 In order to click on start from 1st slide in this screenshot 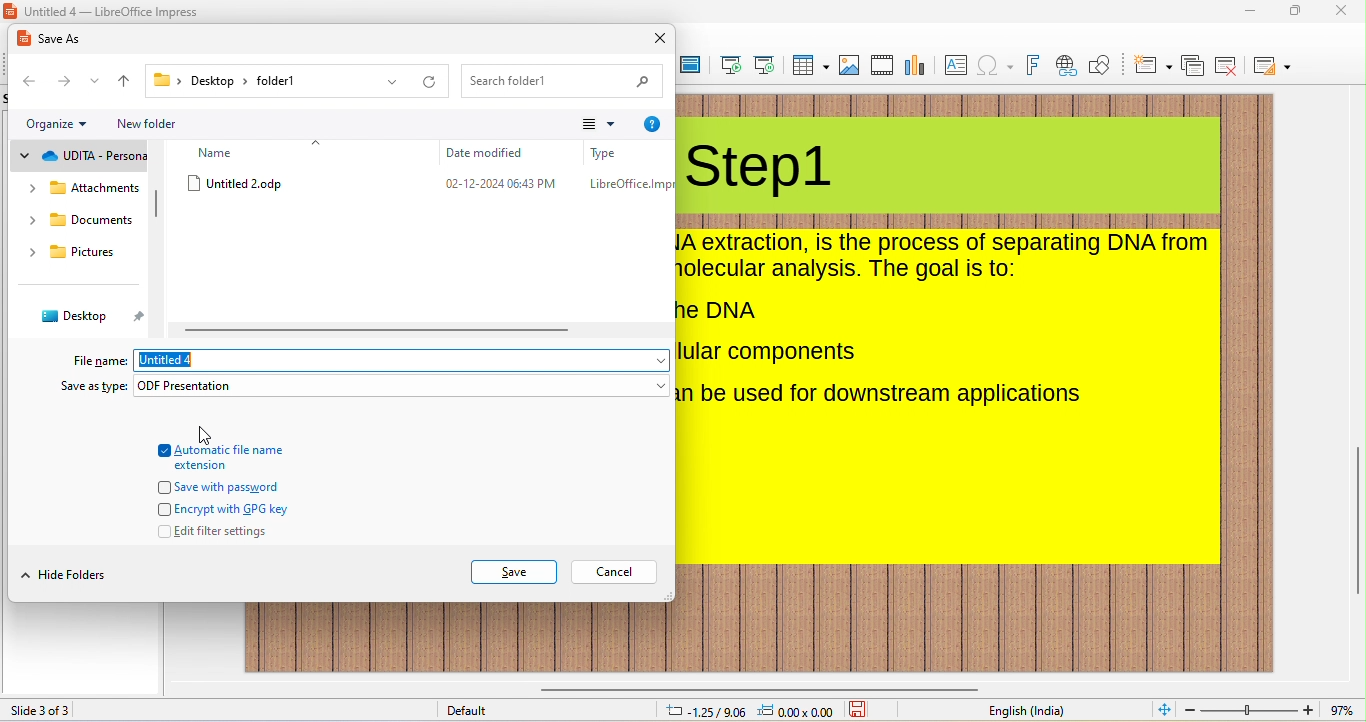, I will do `click(732, 66)`.